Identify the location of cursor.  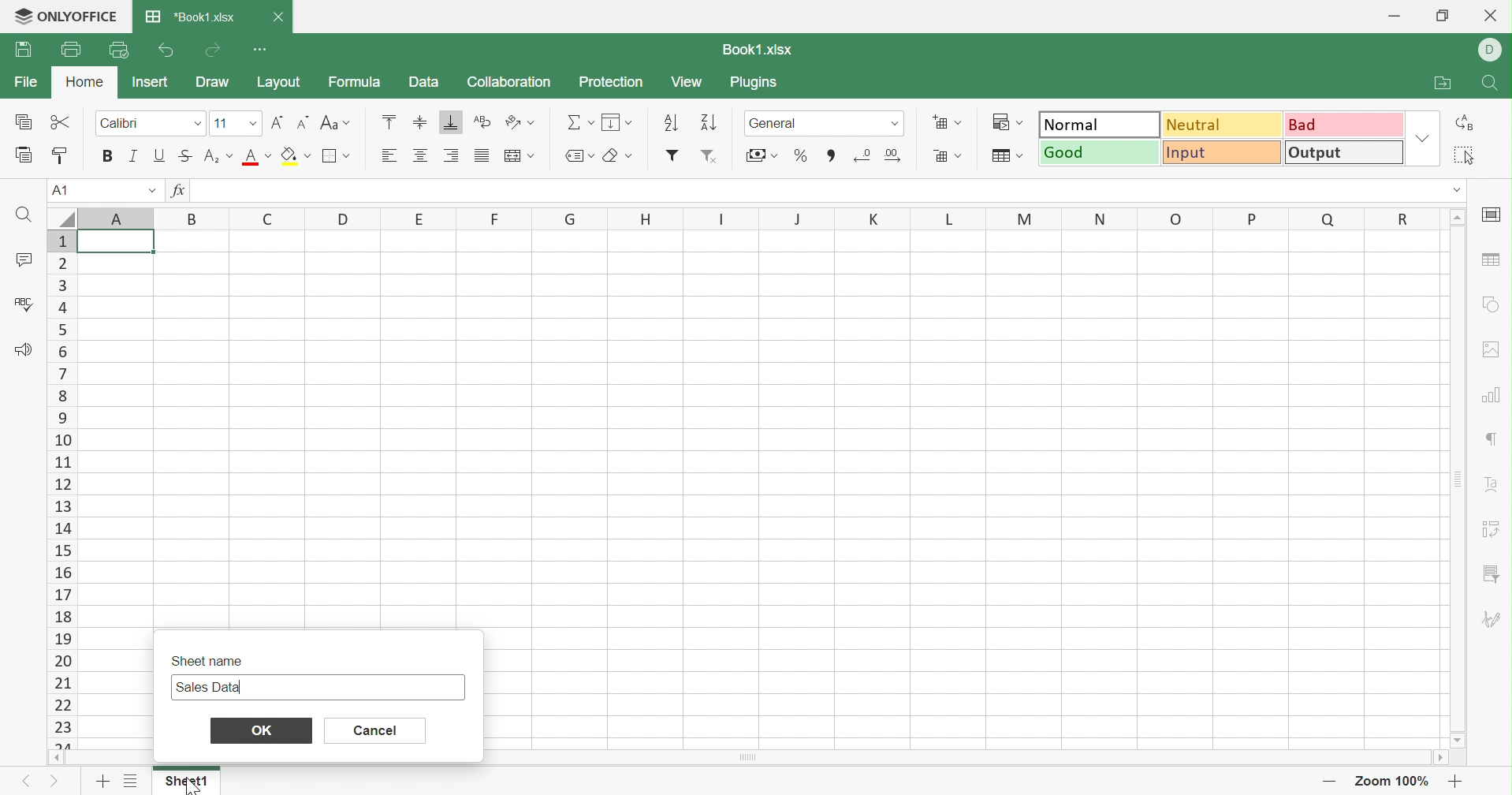
(185, 786).